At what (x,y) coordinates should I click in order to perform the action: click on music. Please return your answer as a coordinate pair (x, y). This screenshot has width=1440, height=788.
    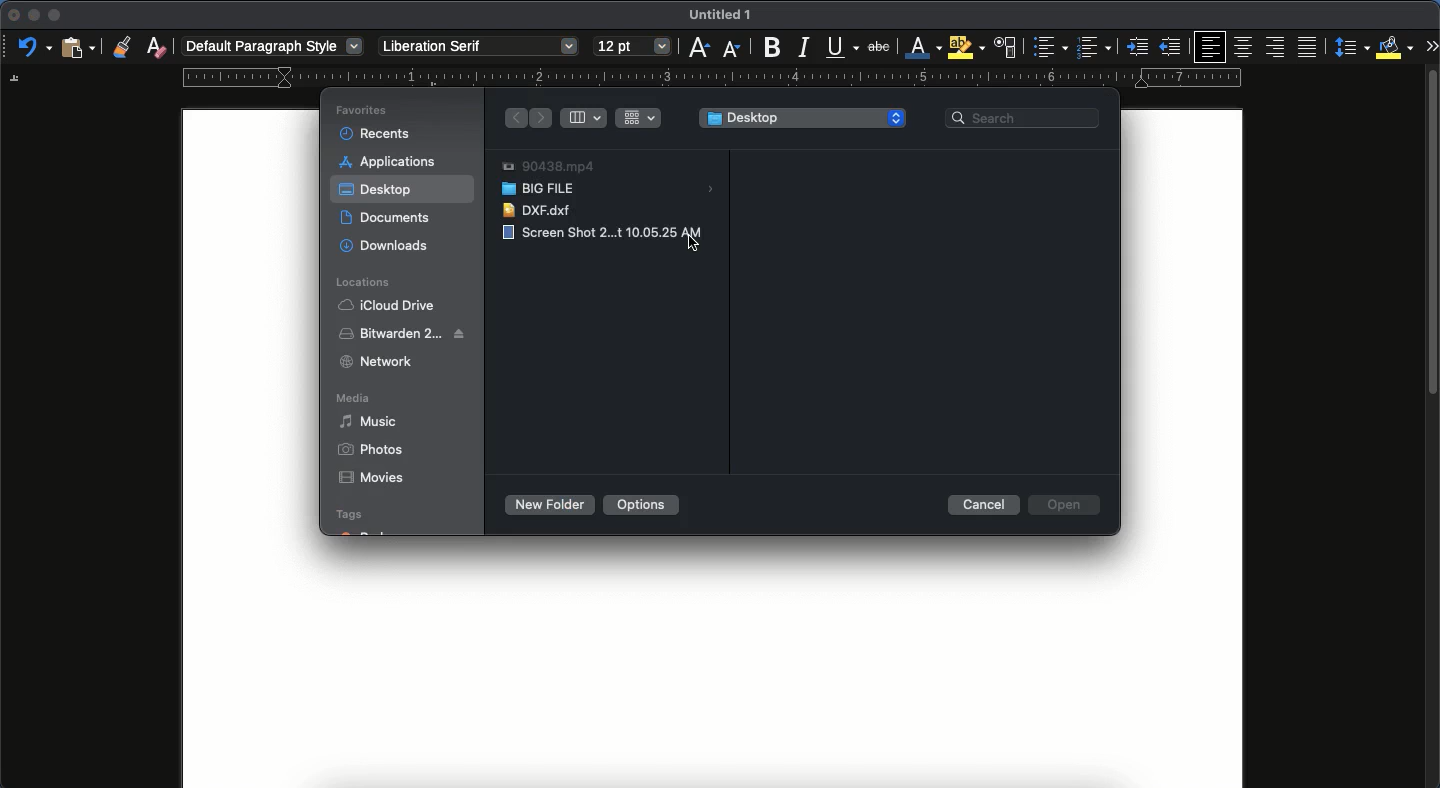
    Looking at the image, I should click on (371, 421).